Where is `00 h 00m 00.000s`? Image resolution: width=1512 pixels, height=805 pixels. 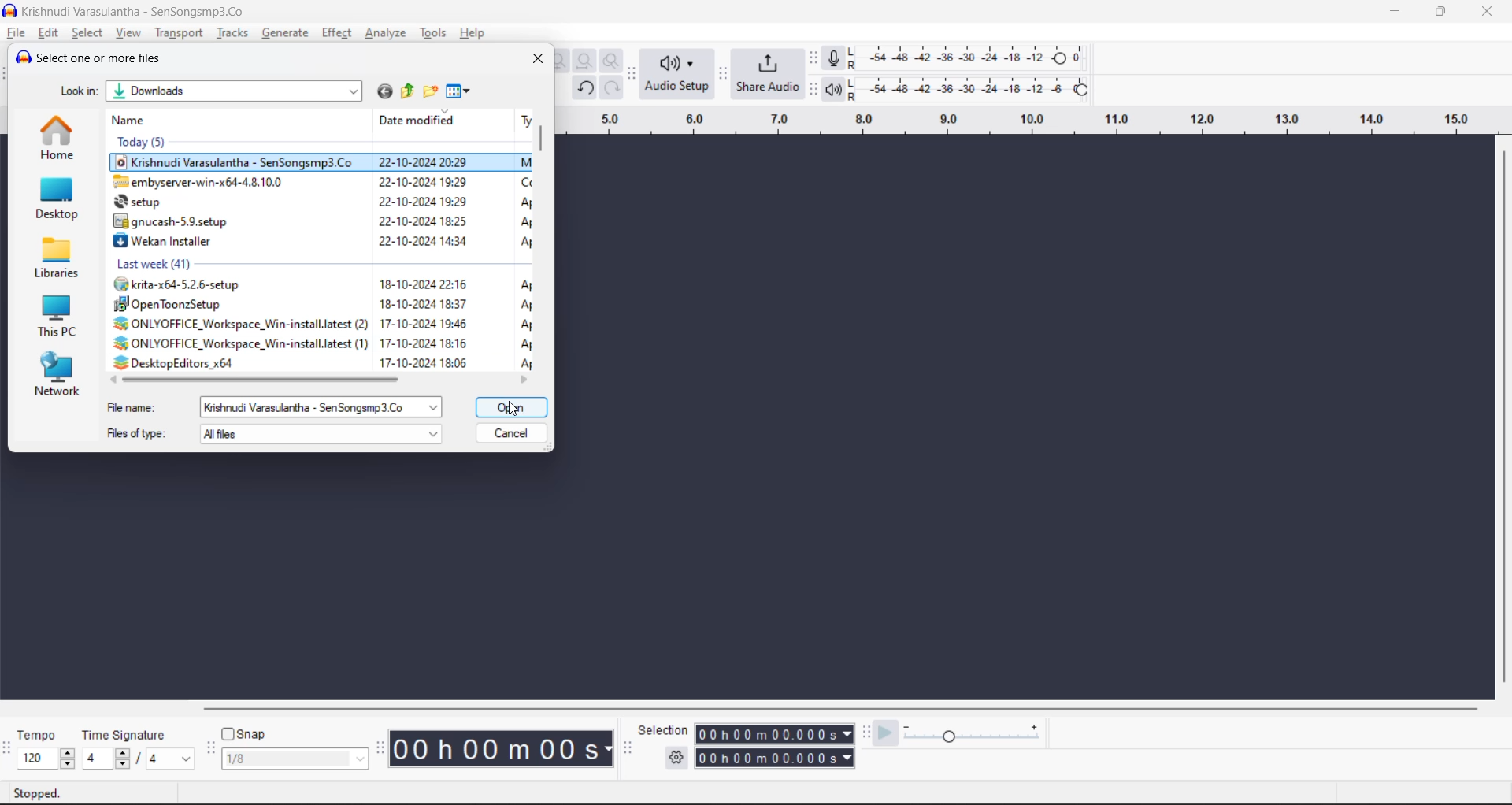
00 h 00m 00.000s is located at coordinates (774, 734).